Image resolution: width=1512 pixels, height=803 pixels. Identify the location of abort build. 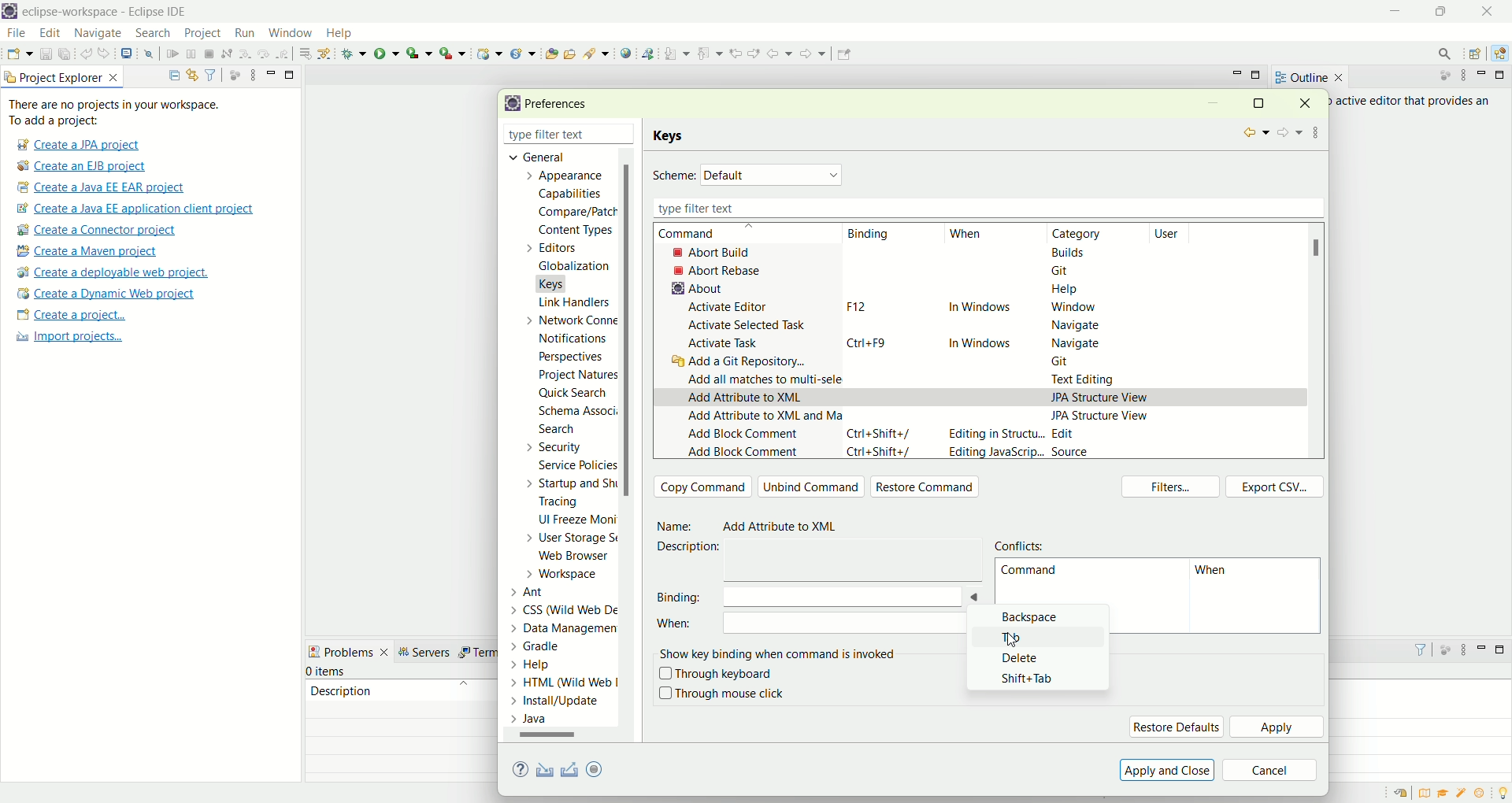
(725, 252).